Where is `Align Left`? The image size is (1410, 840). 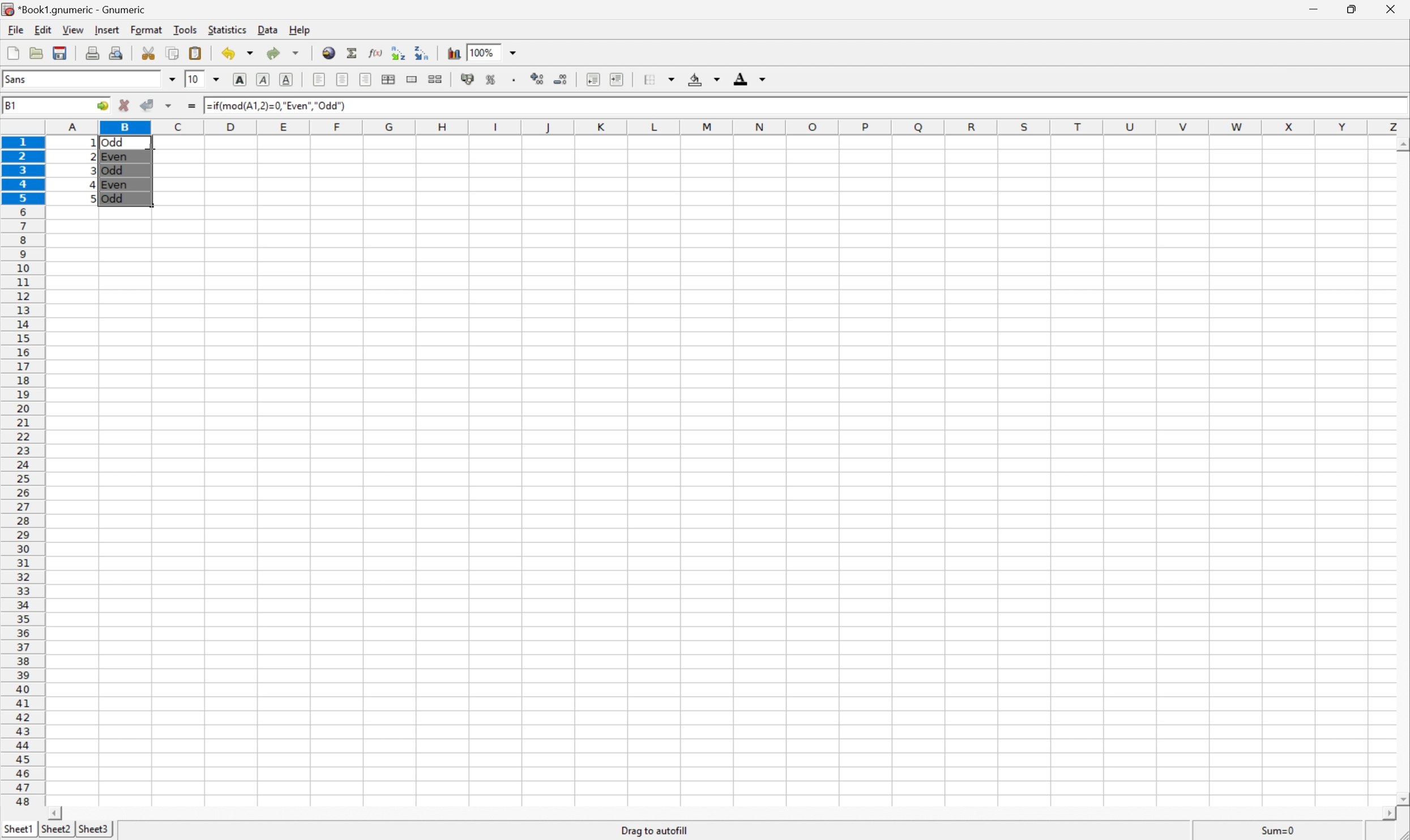 Align Left is located at coordinates (320, 80).